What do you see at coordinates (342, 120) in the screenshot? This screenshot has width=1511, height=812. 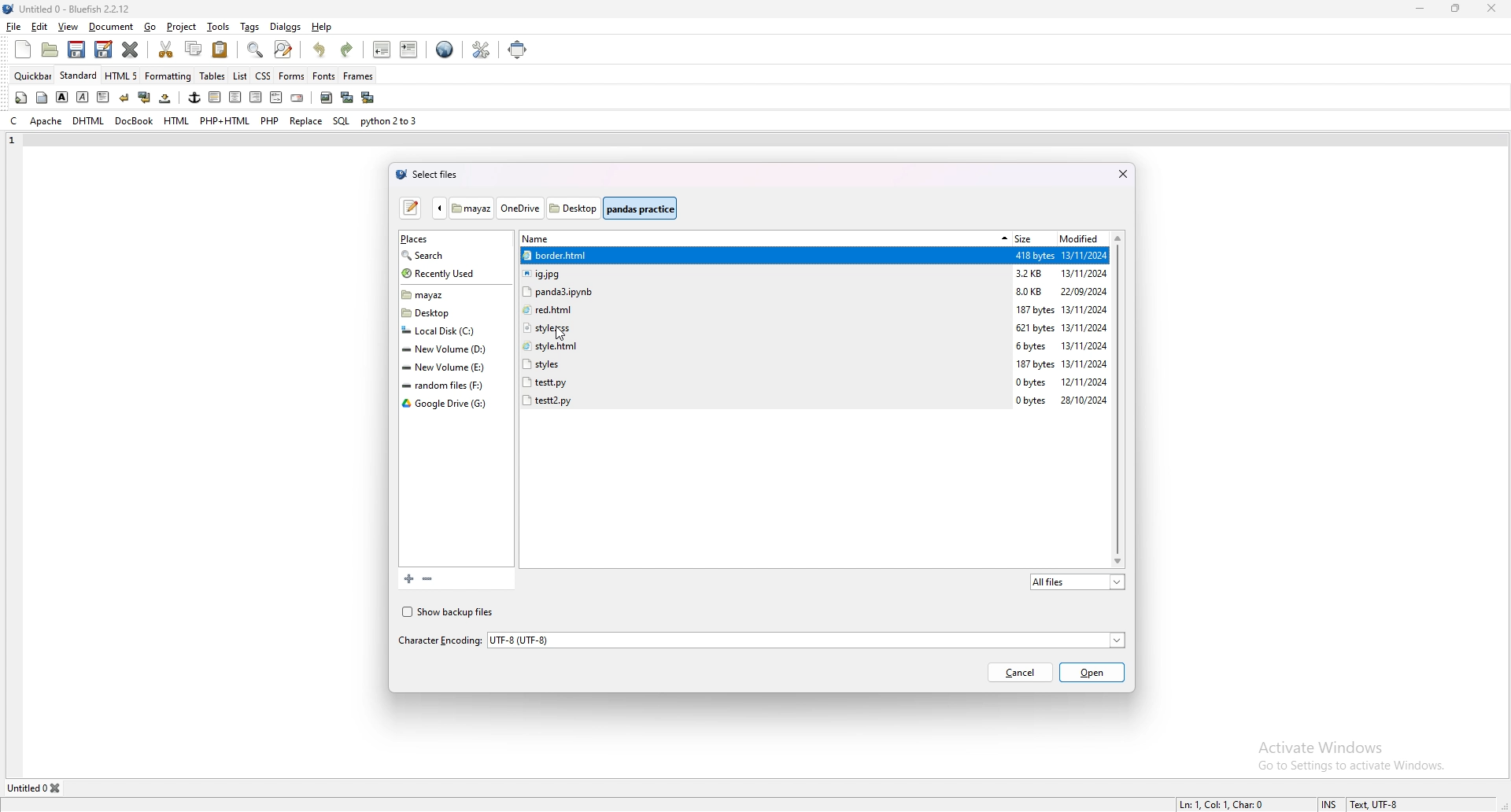 I see `sql` at bounding box center [342, 120].